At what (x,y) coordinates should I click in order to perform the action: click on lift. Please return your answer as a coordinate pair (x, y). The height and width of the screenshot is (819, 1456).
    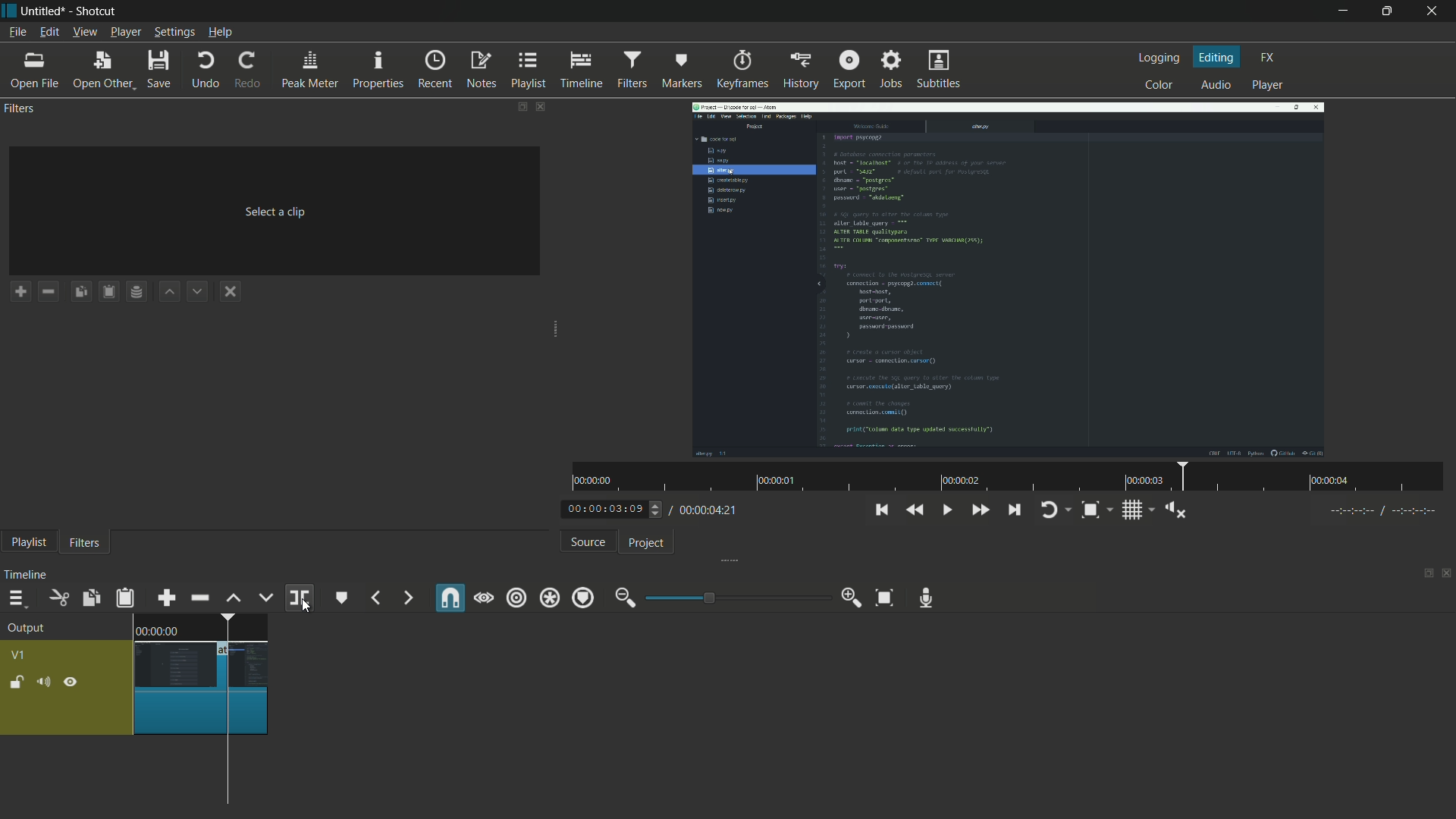
    Looking at the image, I should click on (234, 598).